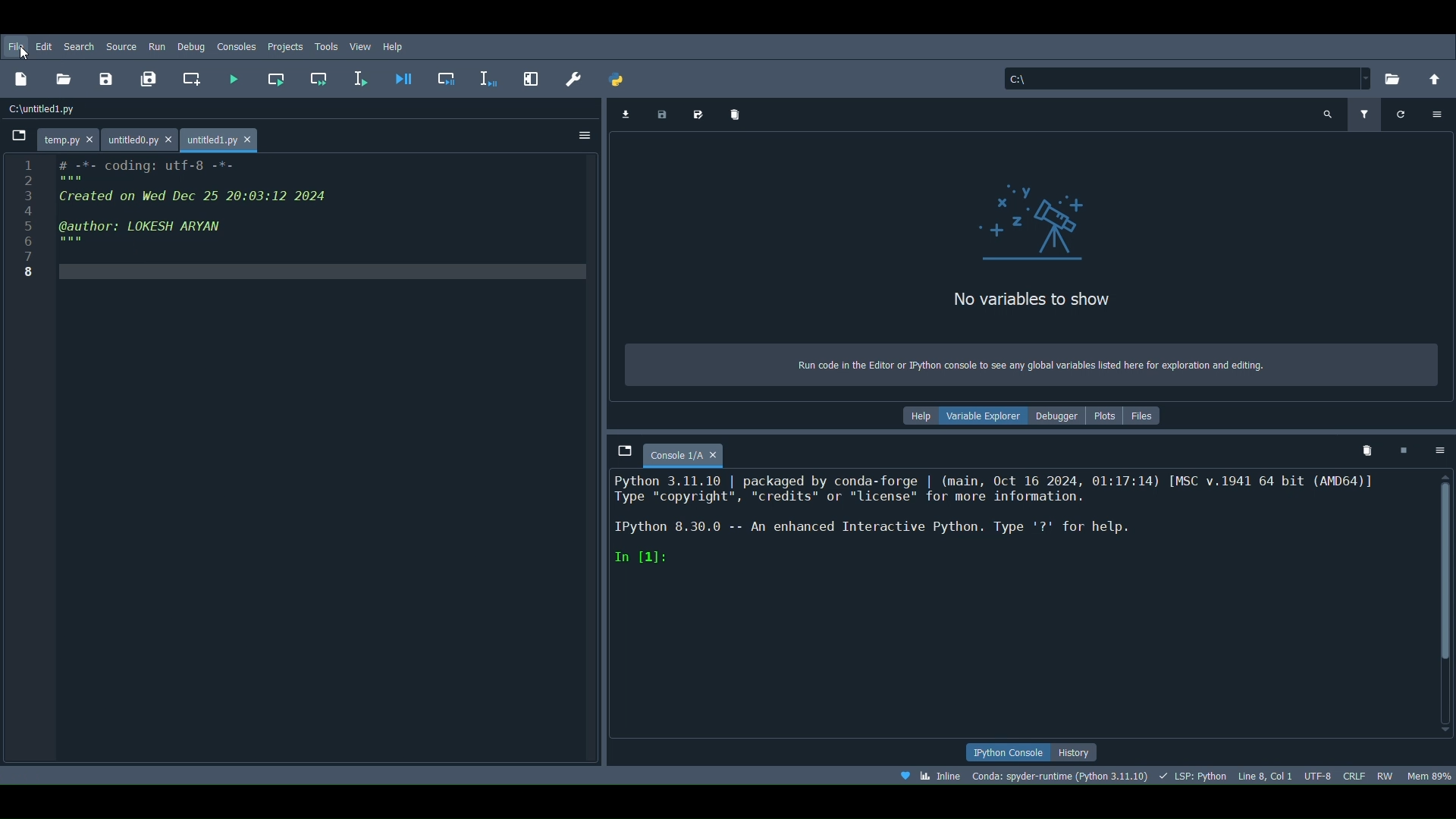 This screenshot has height=819, width=1456. What do you see at coordinates (1077, 753) in the screenshot?
I see `History` at bounding box center [1077, 753].